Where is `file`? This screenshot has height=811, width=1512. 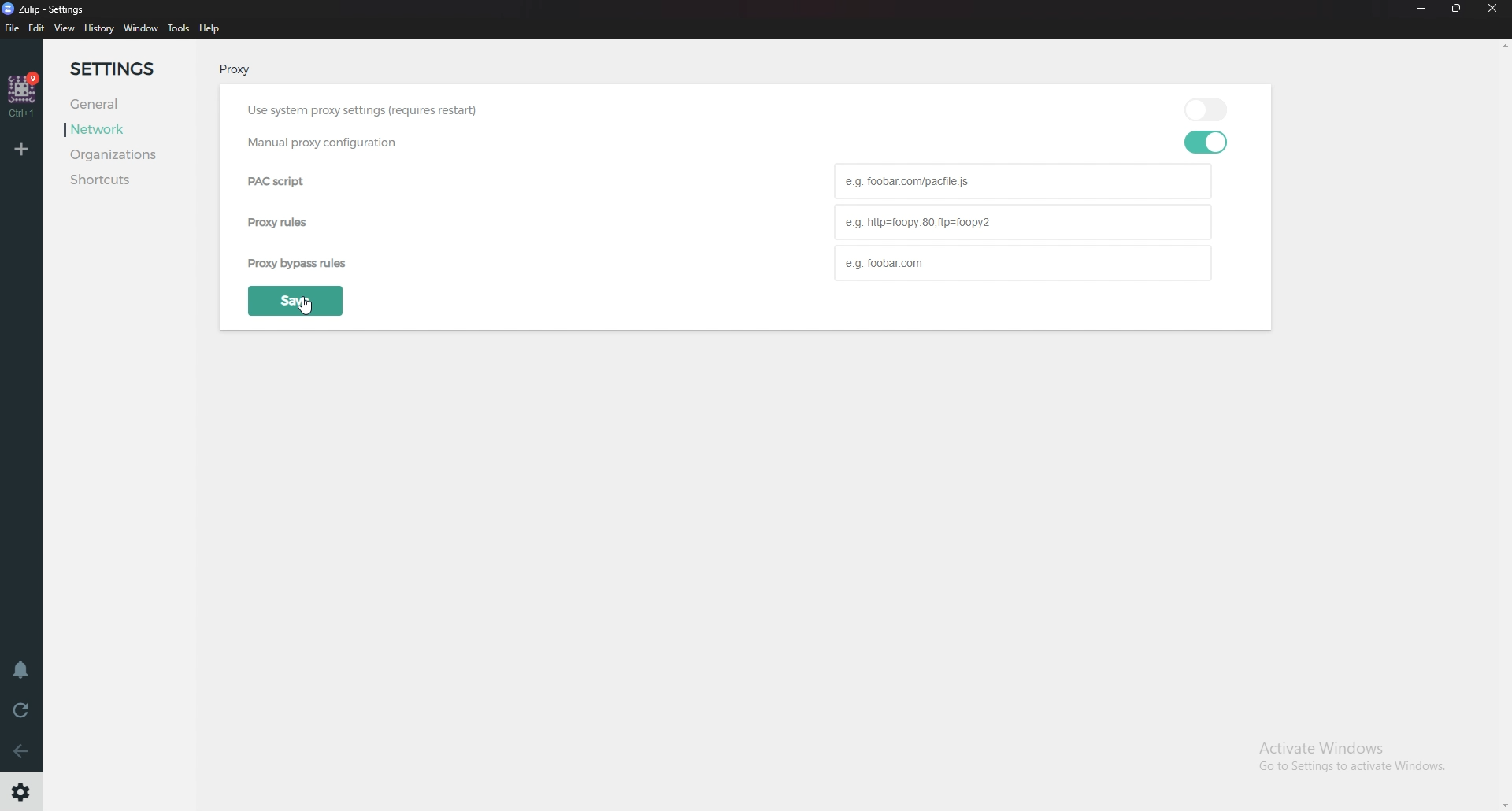 file is located at coordinates (13, 28).